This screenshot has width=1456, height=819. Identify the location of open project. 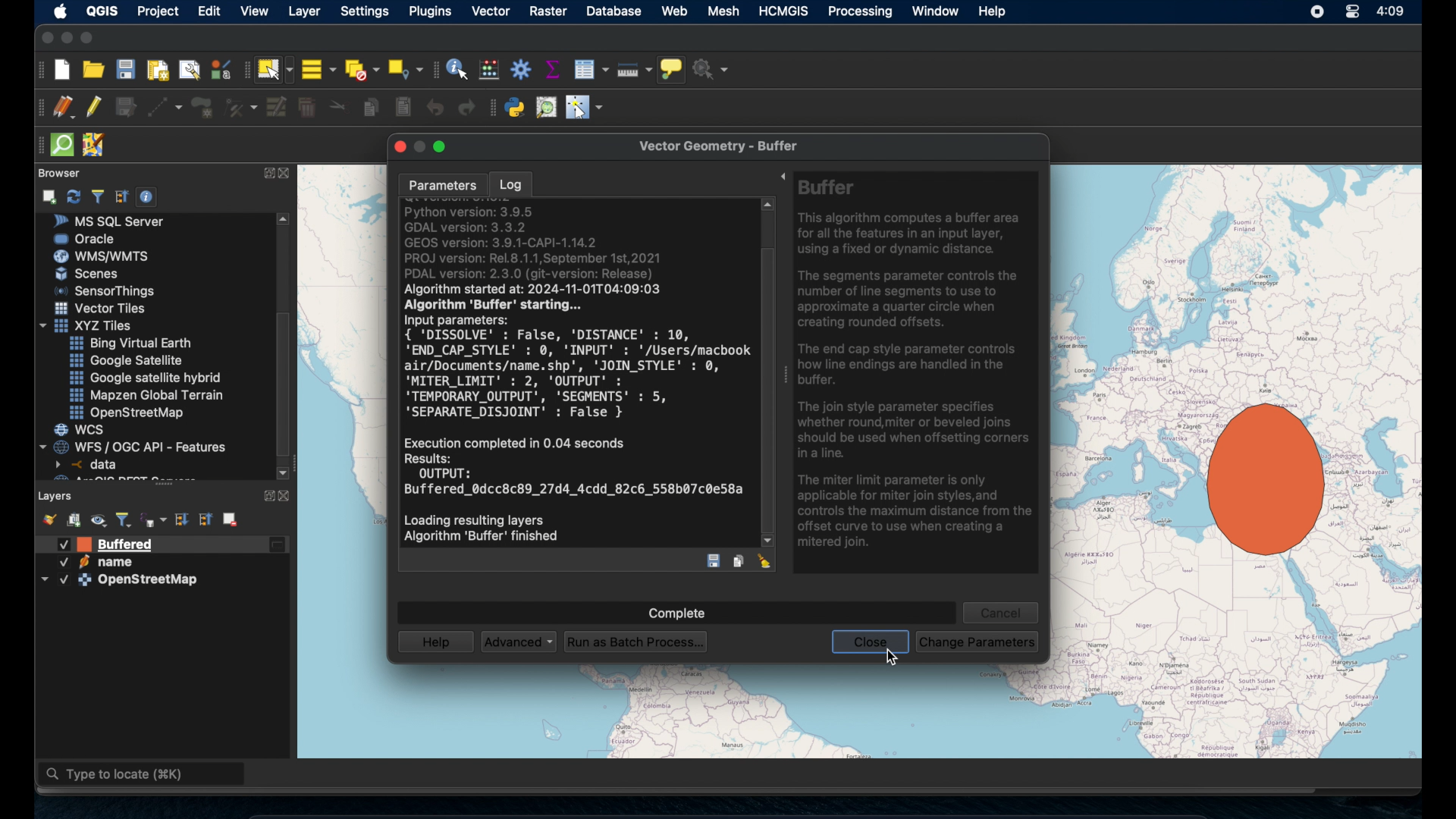
(94, 71).